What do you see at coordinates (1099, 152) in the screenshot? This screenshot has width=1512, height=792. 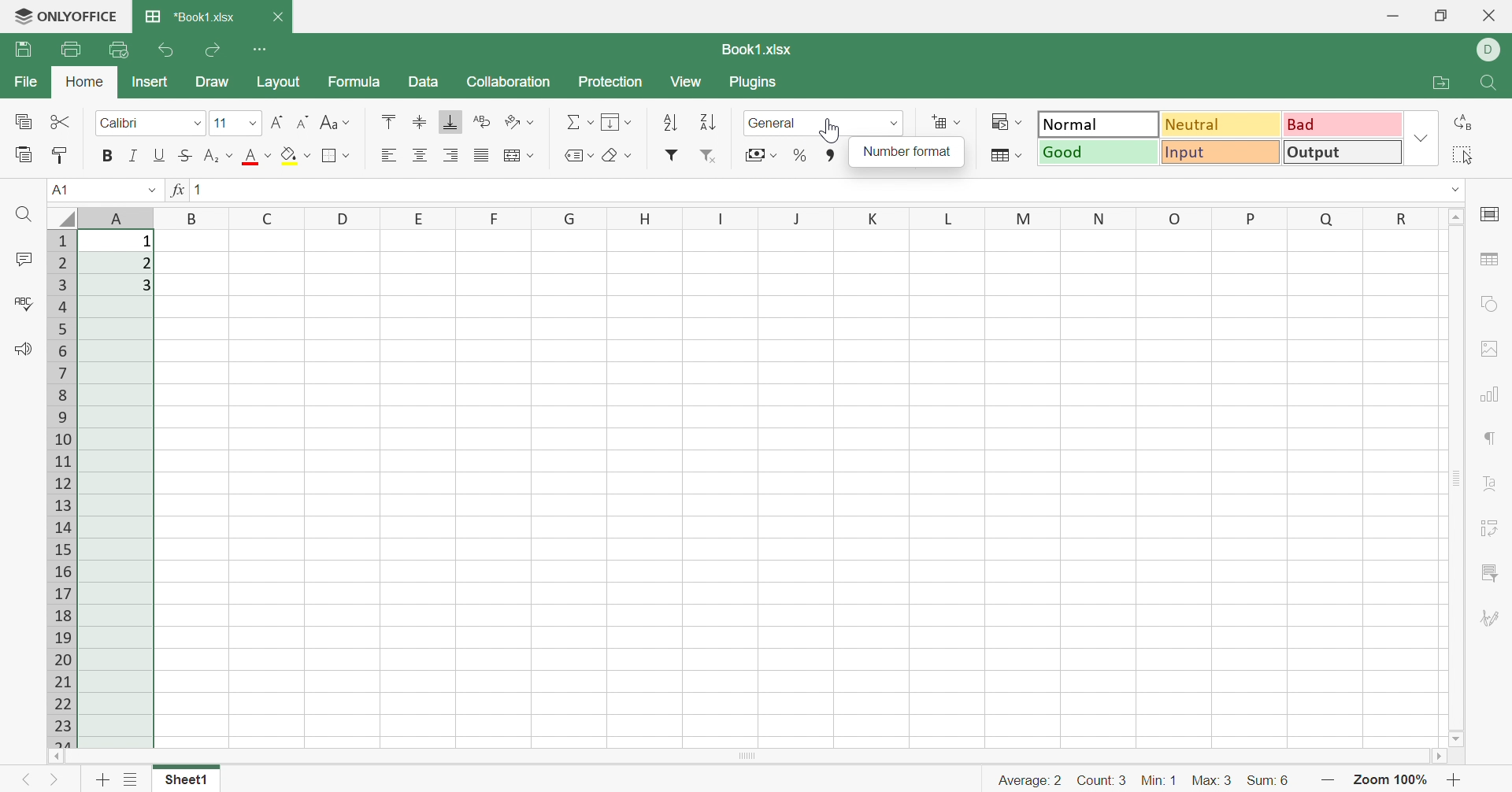 I see `Good` at bounding box center [1099, 152].